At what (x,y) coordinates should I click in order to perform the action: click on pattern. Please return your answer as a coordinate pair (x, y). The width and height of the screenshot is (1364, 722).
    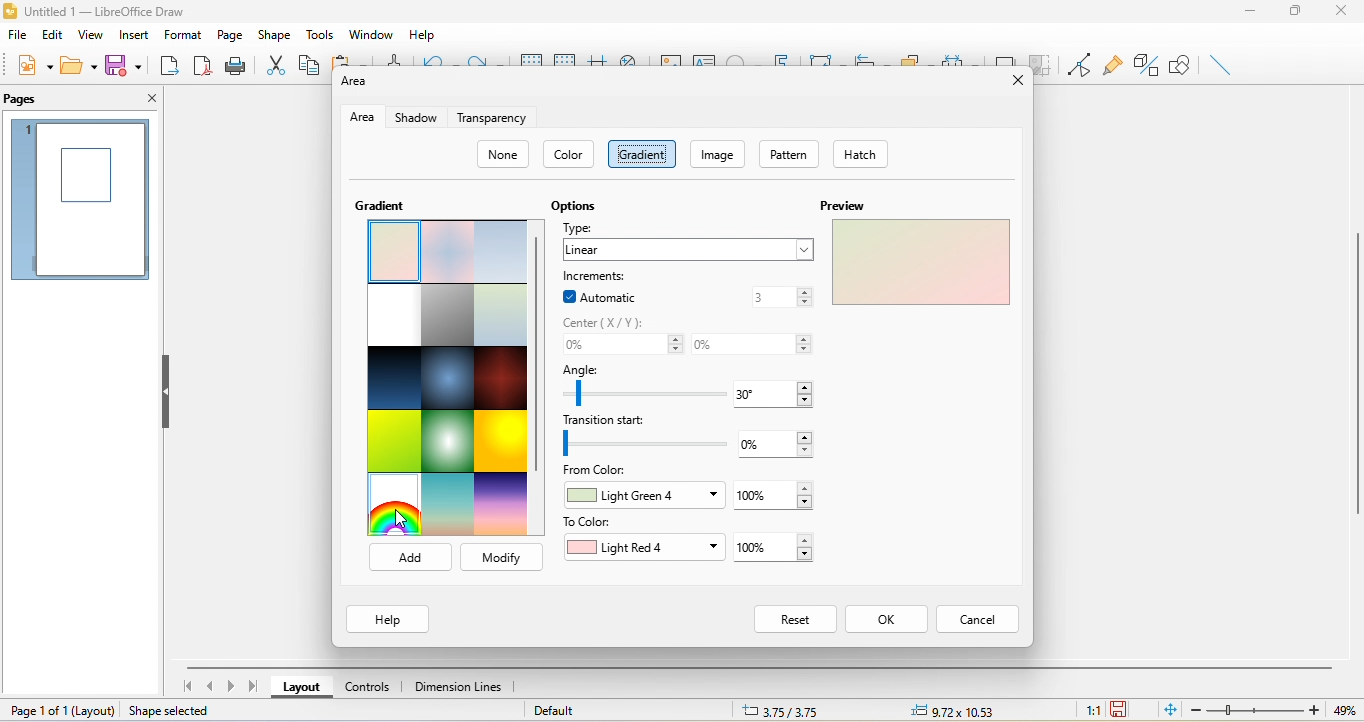
    Looking at the image, I should click on (790, 153).